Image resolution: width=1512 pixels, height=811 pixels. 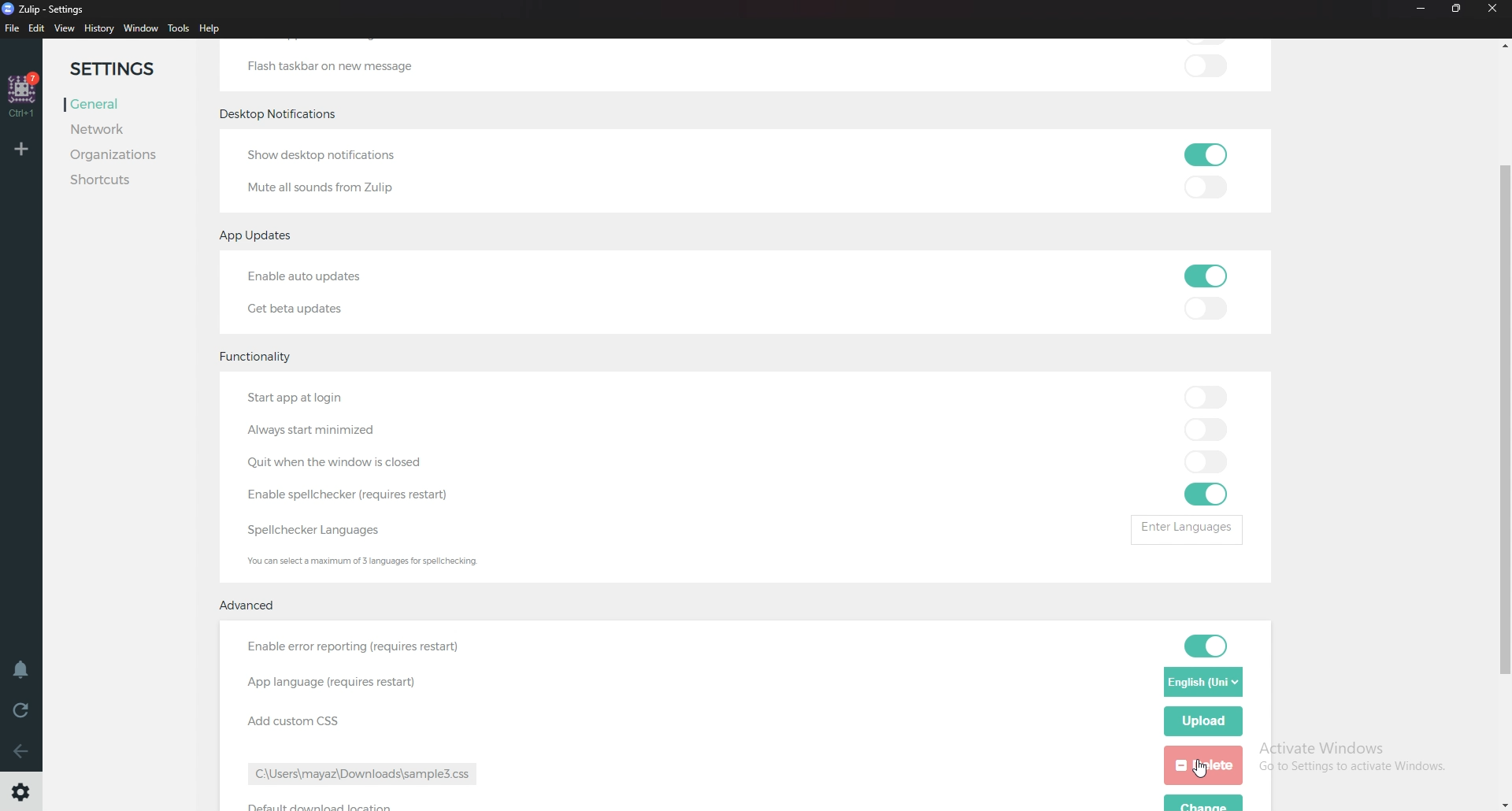 I want to click on path, so click(x=369, y=774).